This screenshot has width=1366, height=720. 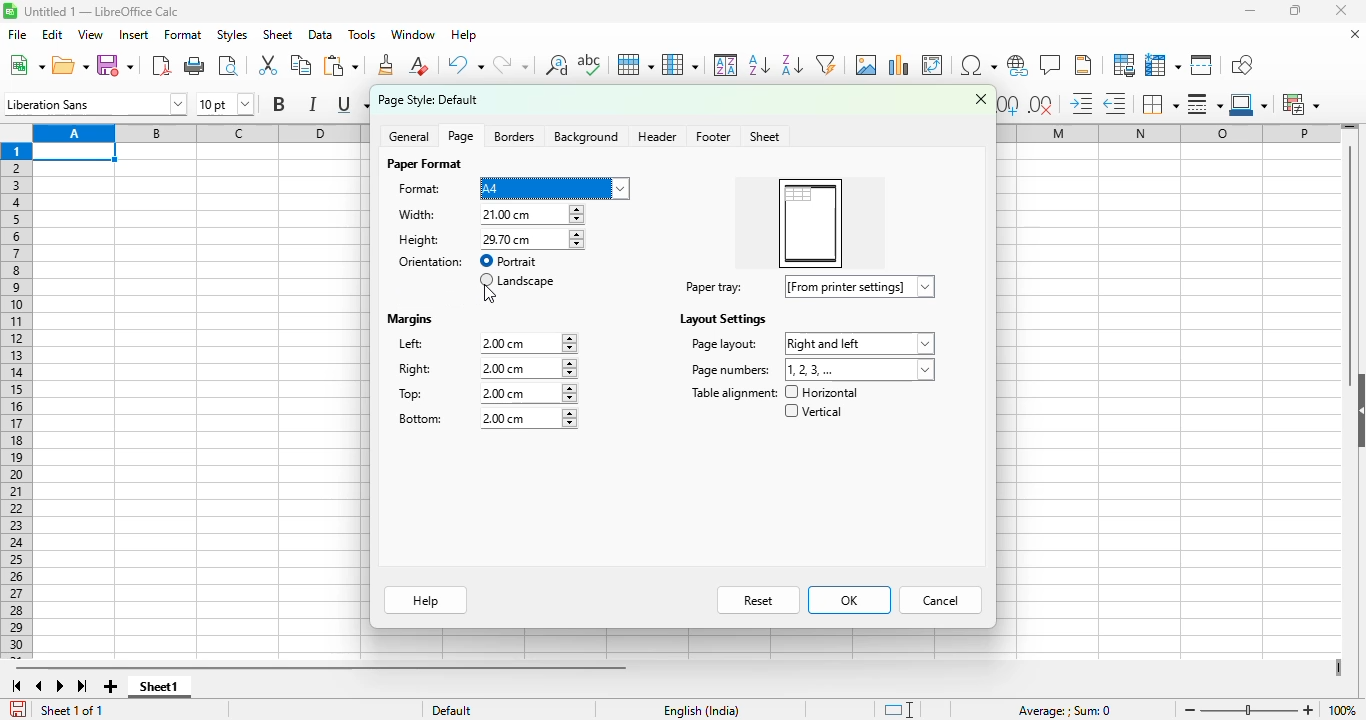 What do you see at coordinates (898, 65) in the screenshot?
I see `insert chart` at bounding box center [898, 65].